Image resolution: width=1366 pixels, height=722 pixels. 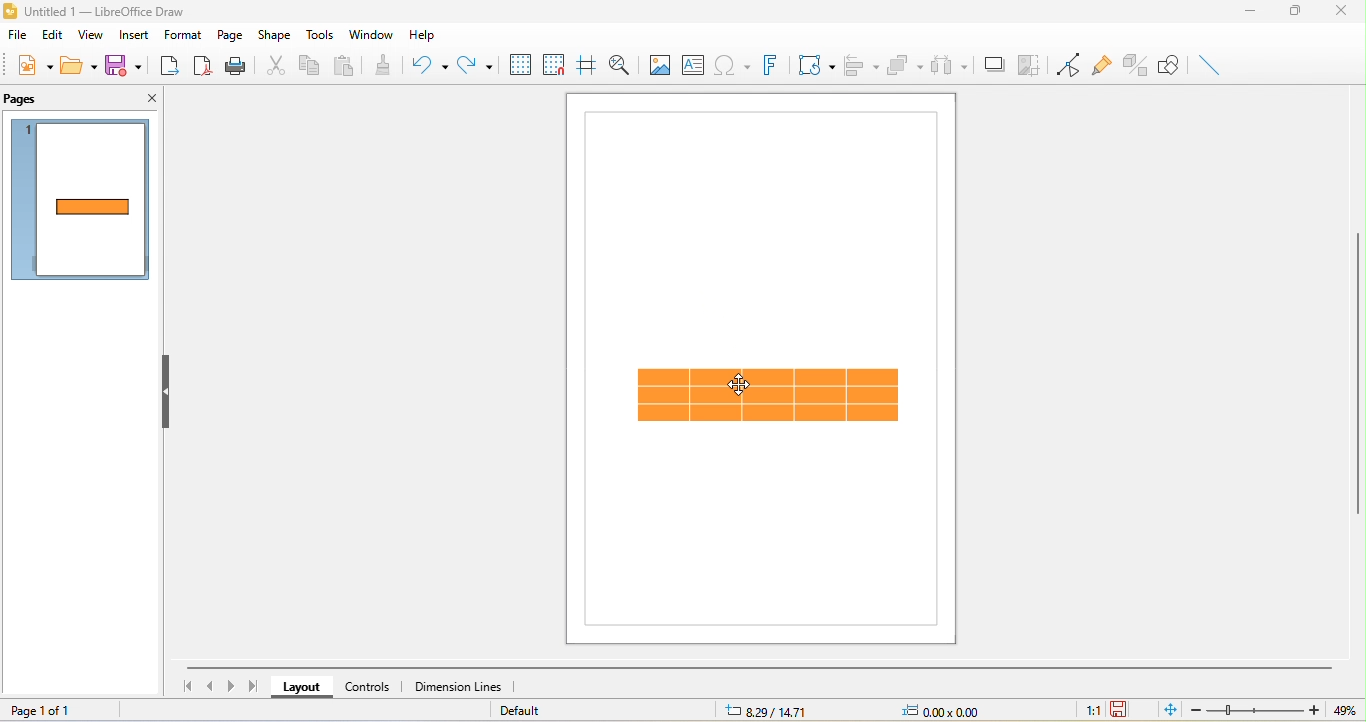 What do you see at coordinates (82, 202) in the screenshot?
I see `page1` at bounding box center [82, 202].